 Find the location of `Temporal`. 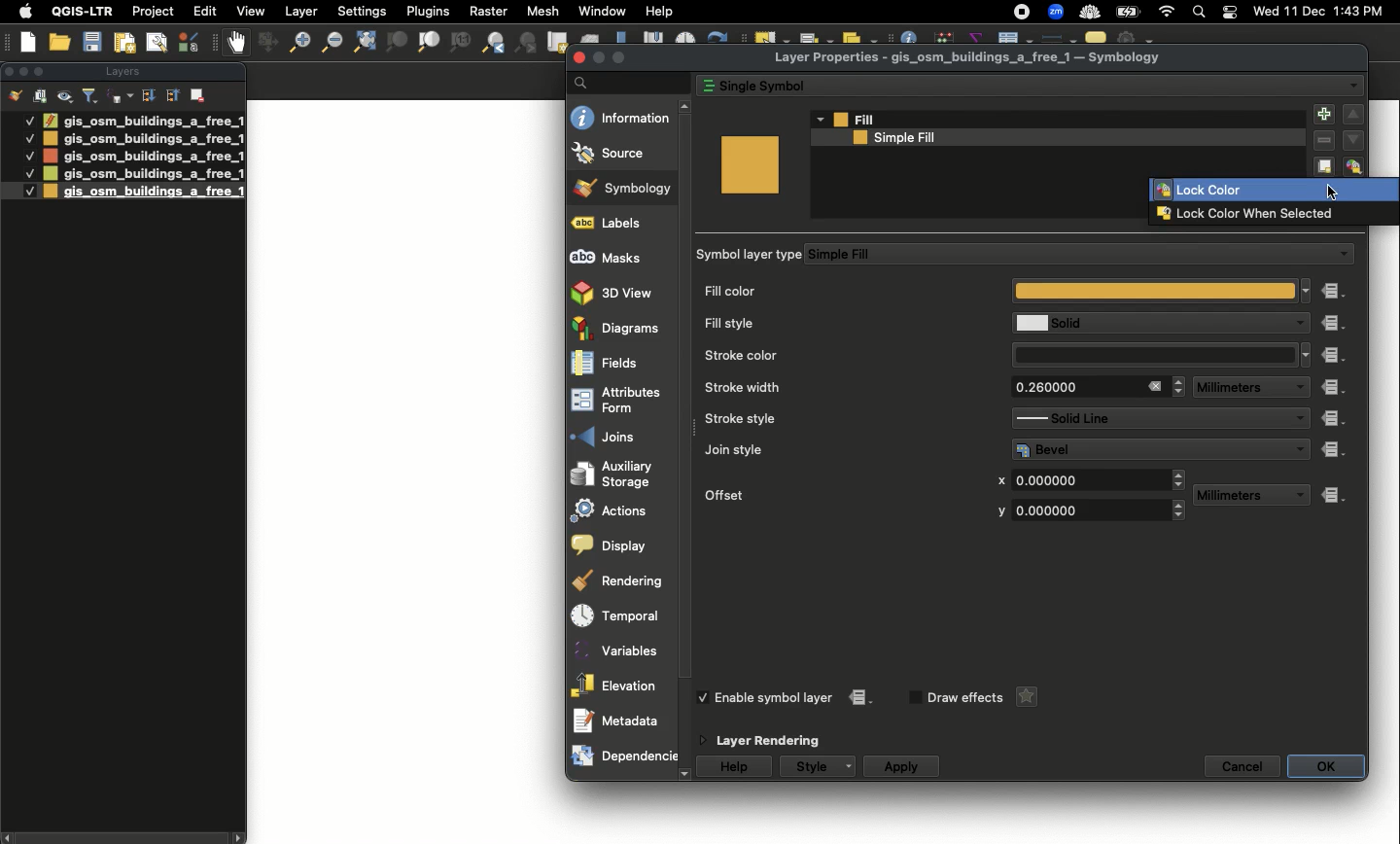

Temporal is located at coordinates (621, 616).